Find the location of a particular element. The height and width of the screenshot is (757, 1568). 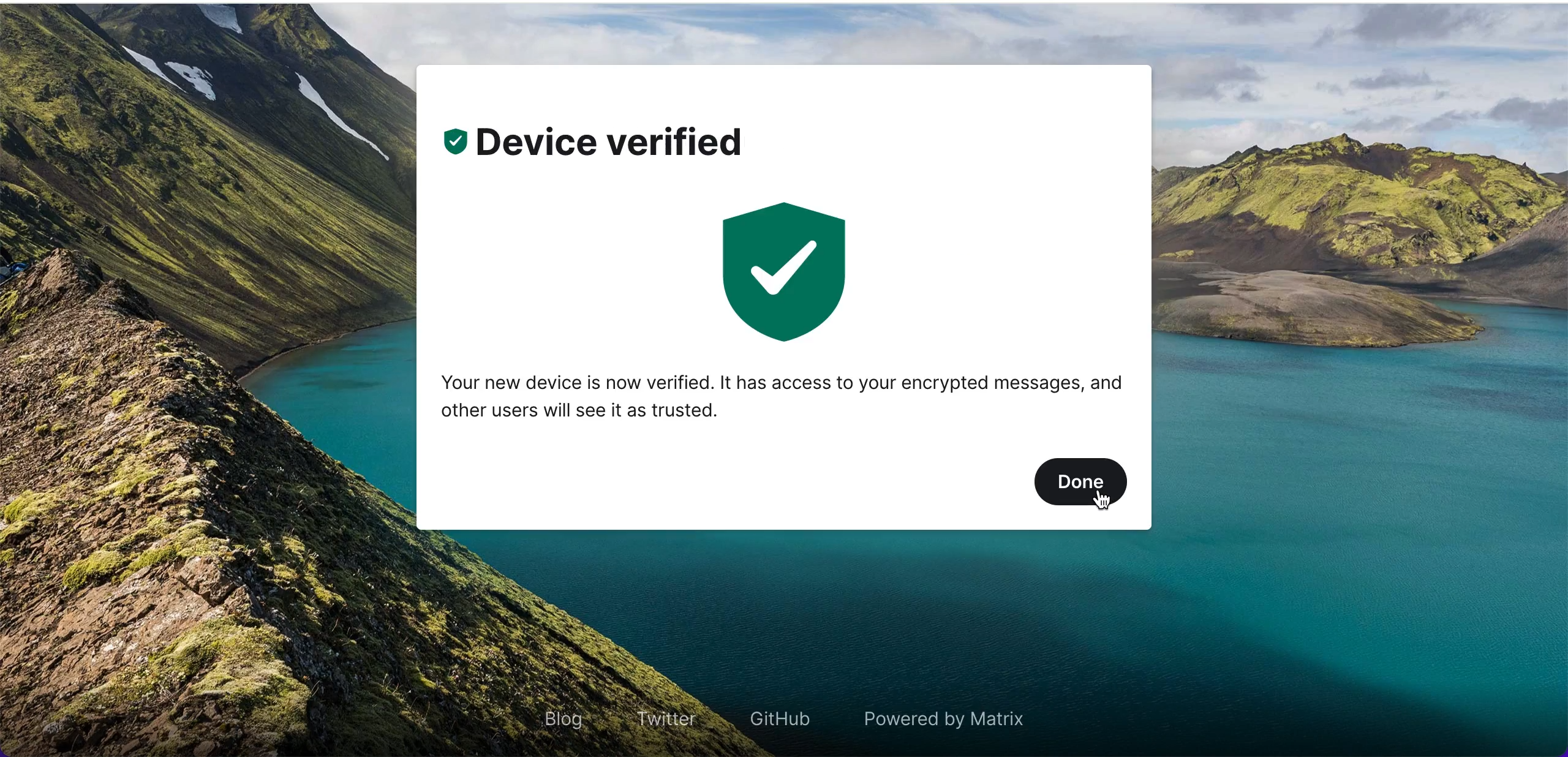

done is located at coordinates (1079, 484).